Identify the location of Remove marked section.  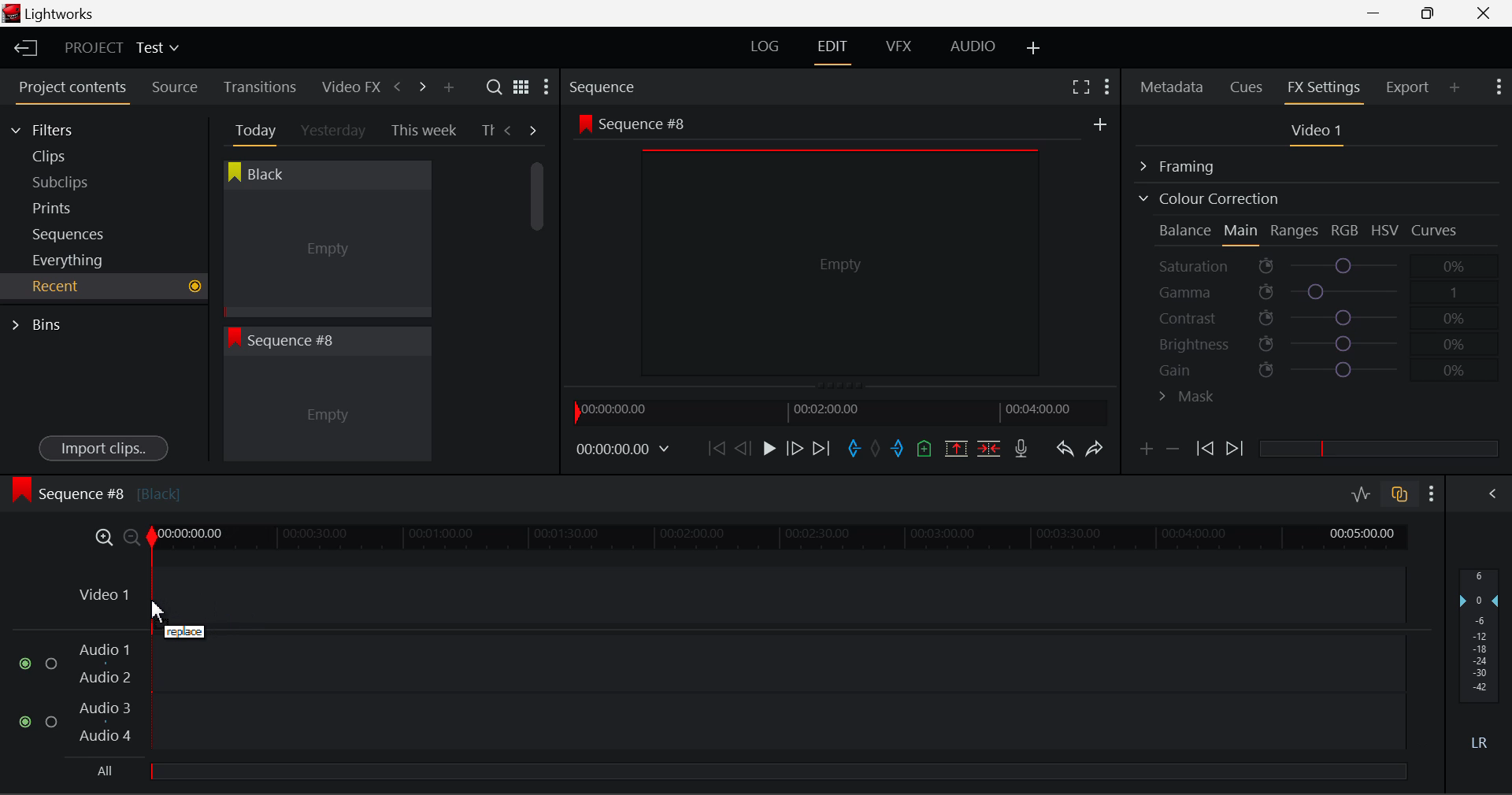
(955, 447).